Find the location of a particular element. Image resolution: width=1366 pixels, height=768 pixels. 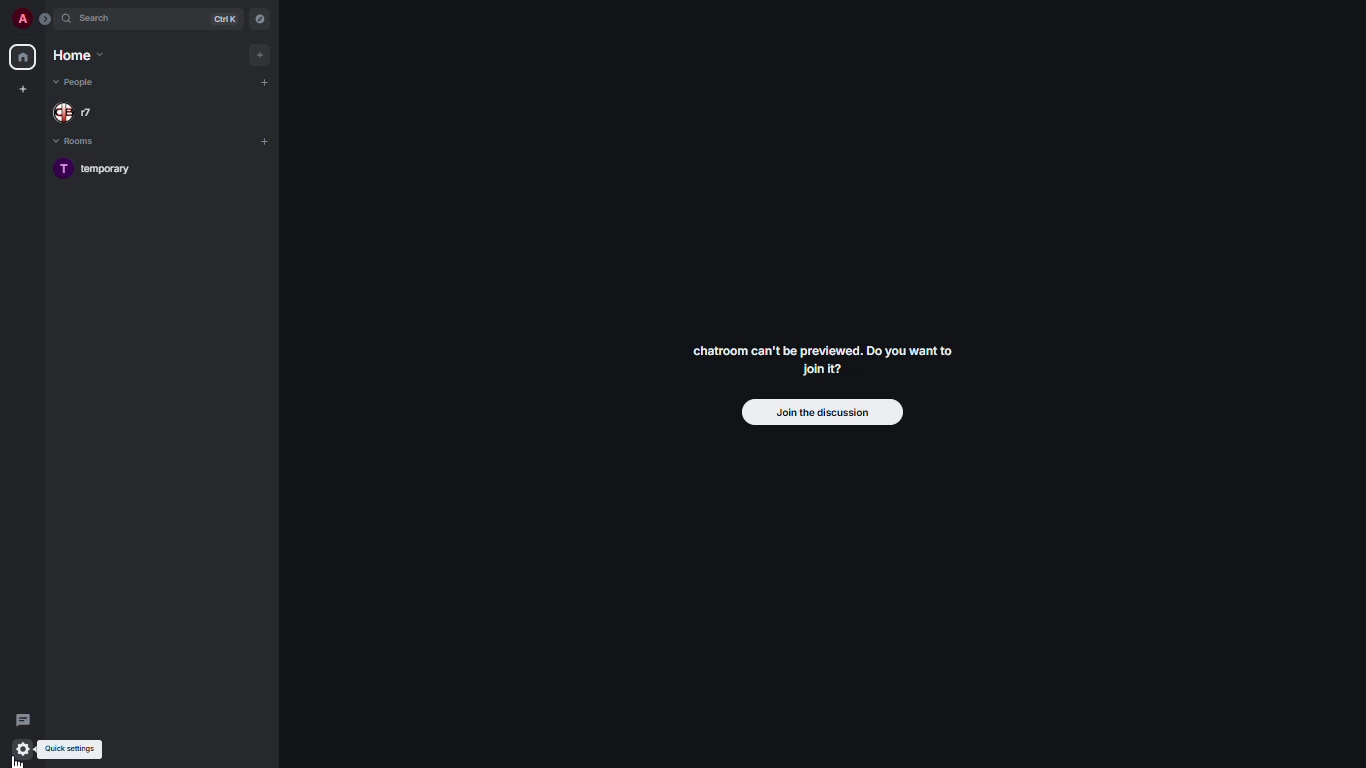

ctrl K is located at coordinates (225, 19).